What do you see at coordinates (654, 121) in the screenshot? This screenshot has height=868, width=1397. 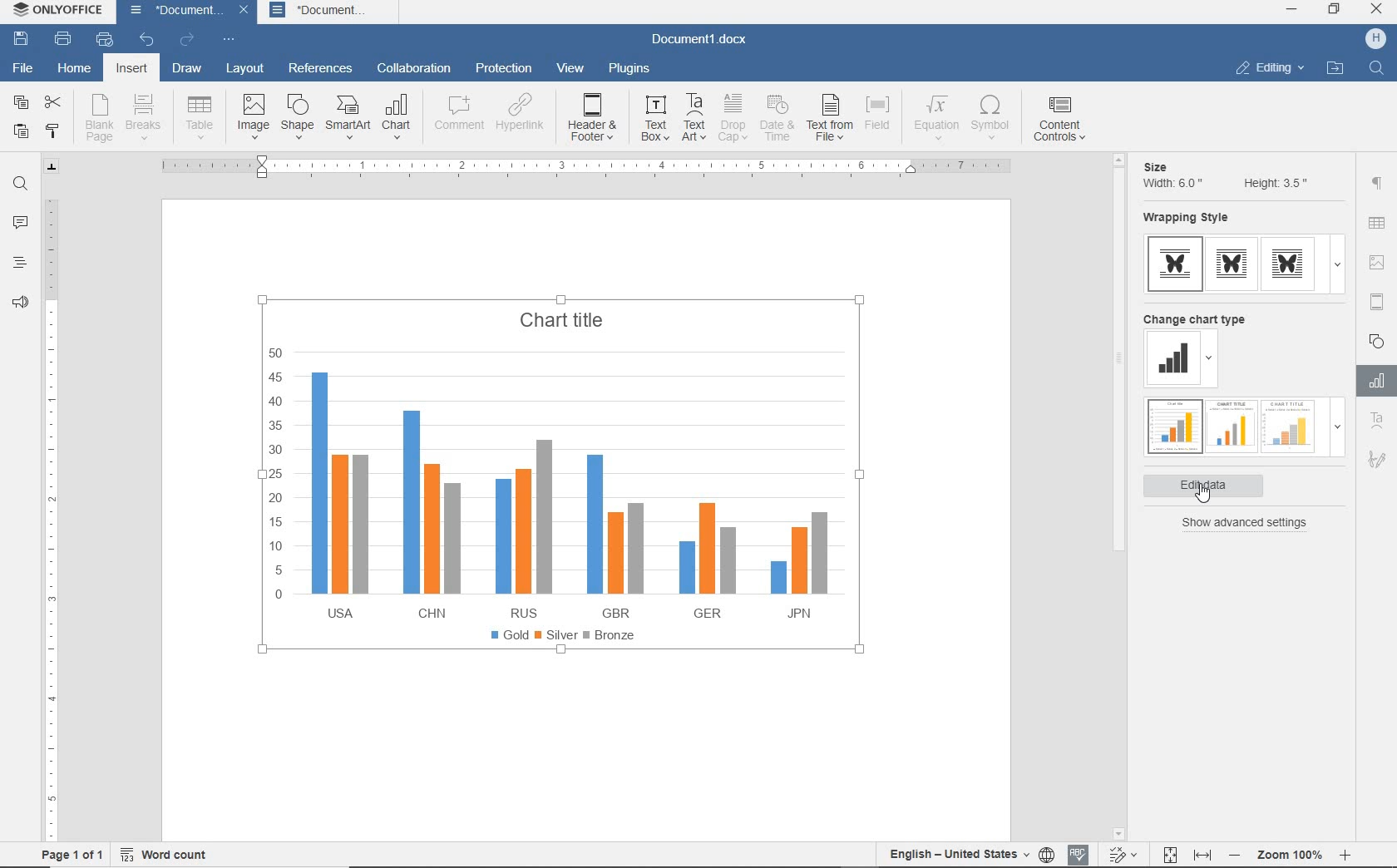 I see `text box` at bounding box center [654, 121].